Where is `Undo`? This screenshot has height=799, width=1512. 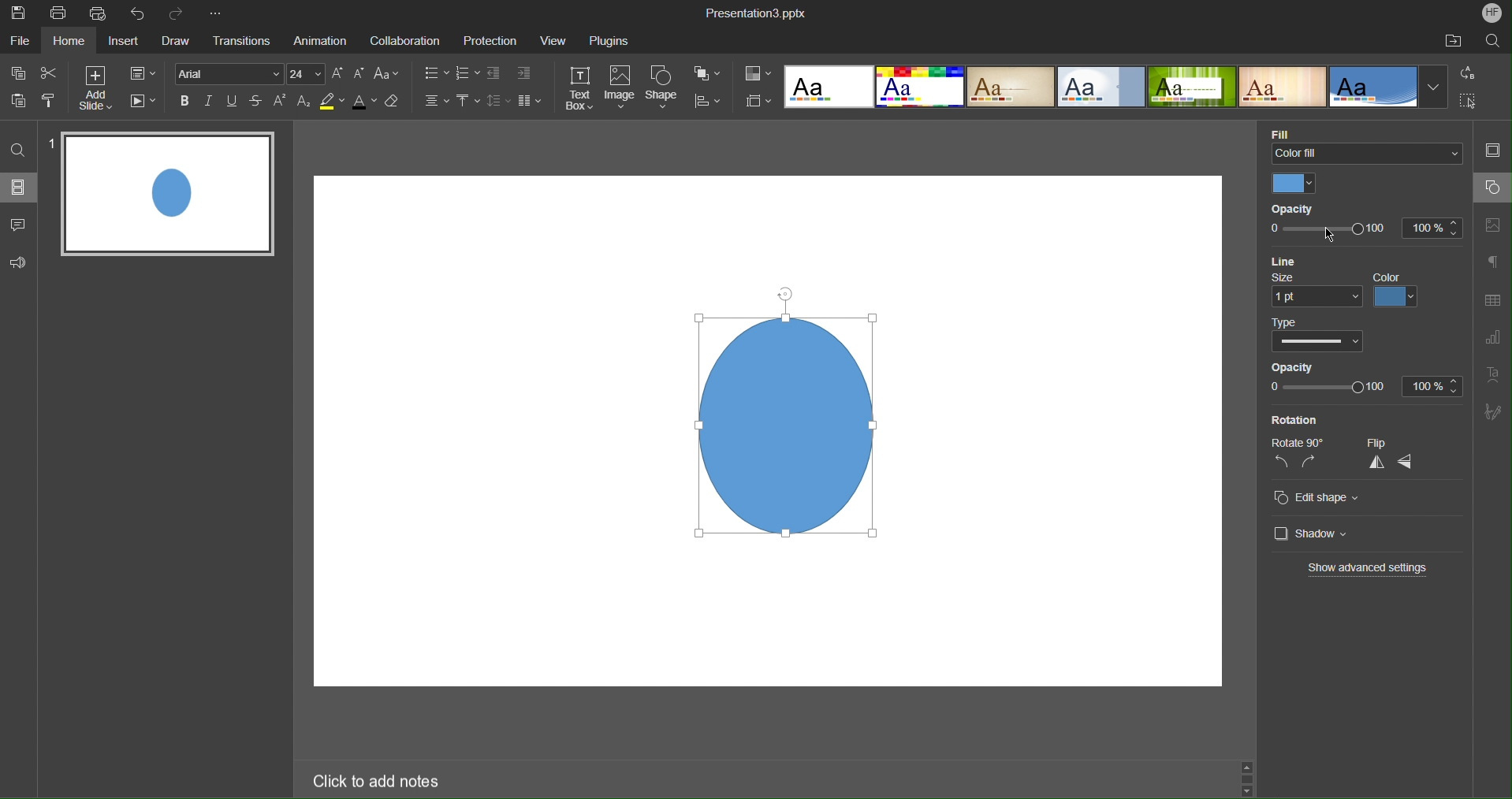
Undo is located at coordinates (138, 13).